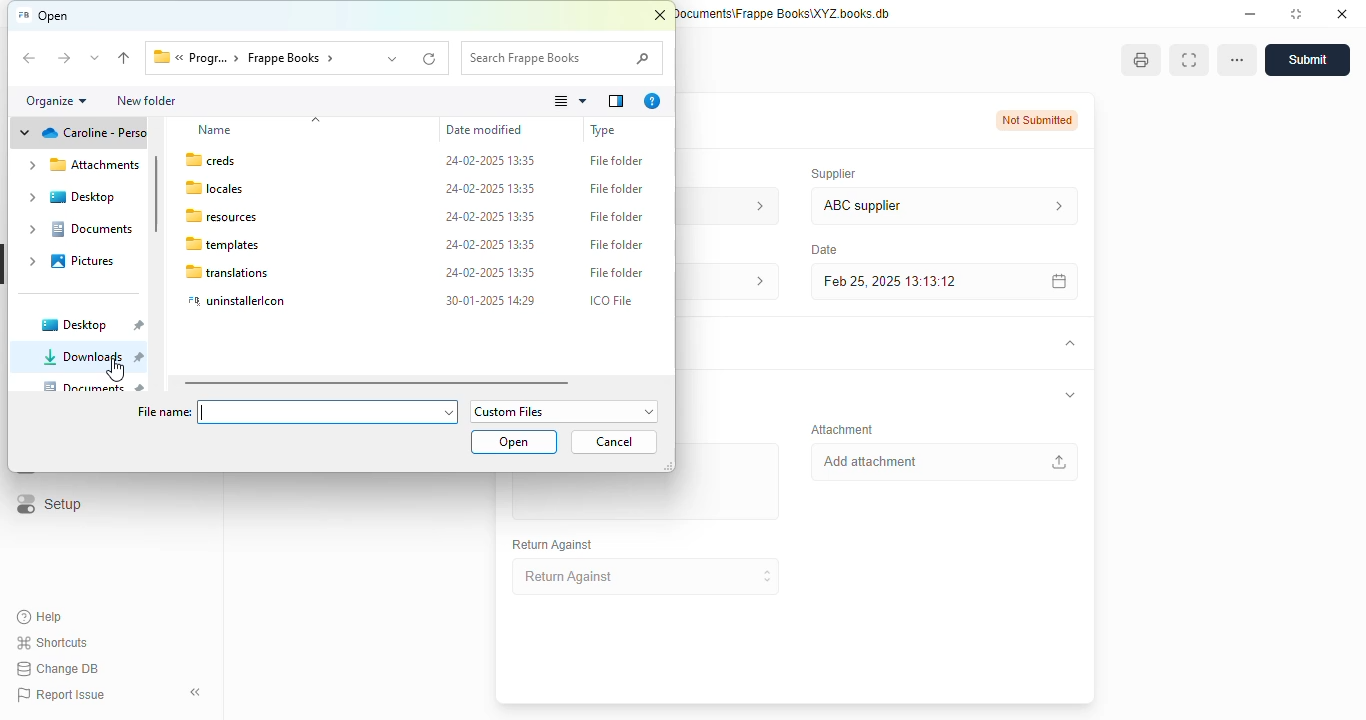  Describe the element at coordinates (63, 59) in the screenshot. I see `forward` at that location.